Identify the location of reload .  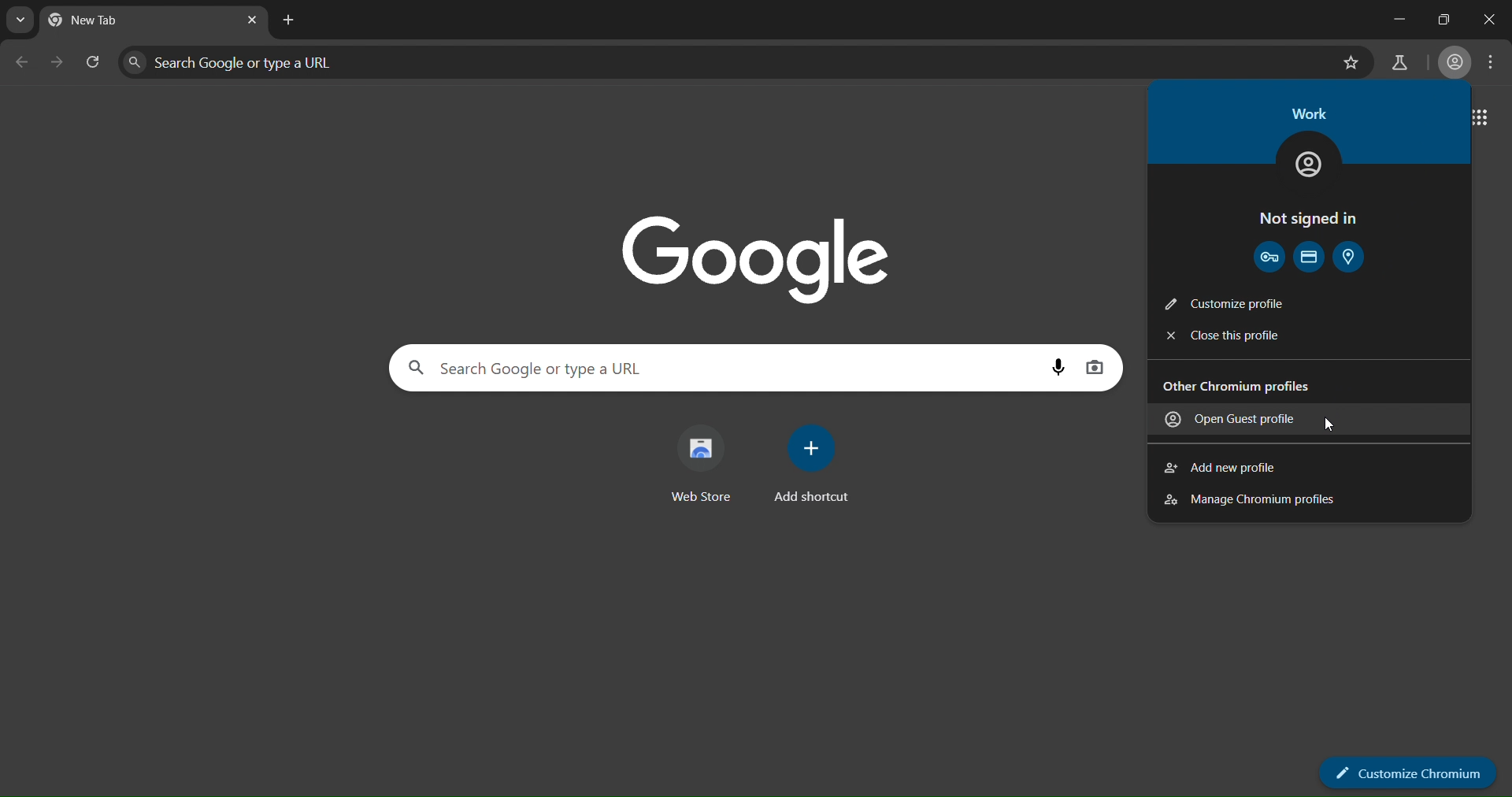
(54, 61).